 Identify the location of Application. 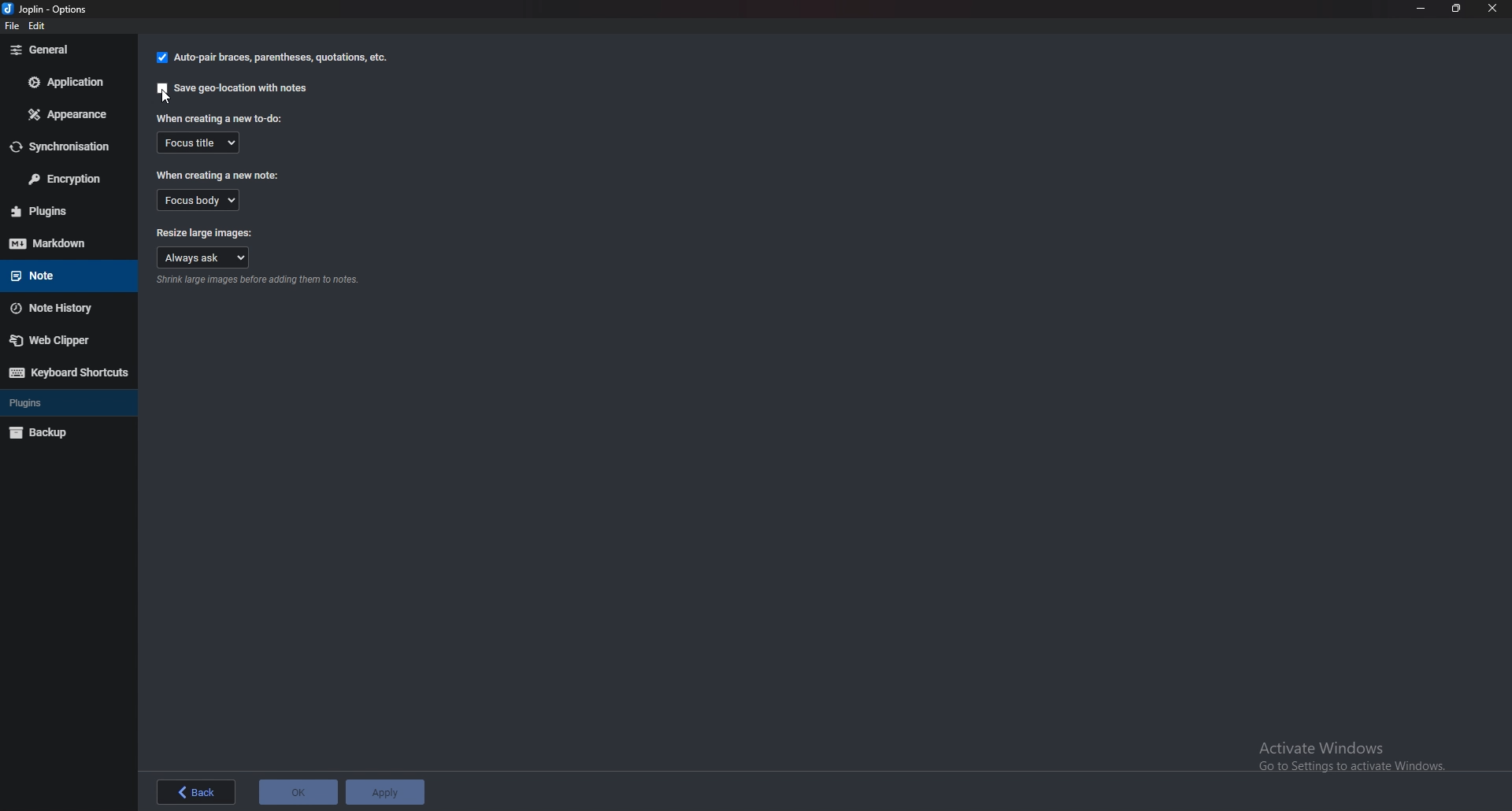
(68, 81).